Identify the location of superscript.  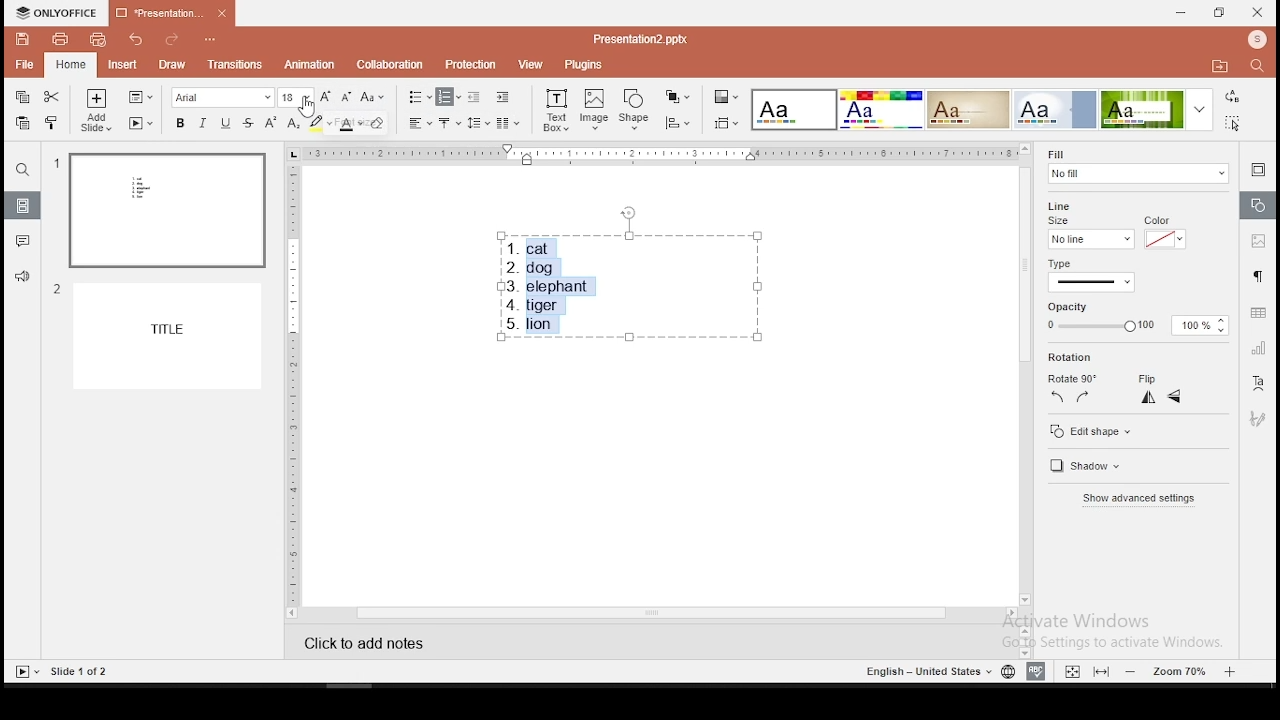
(266, 122).